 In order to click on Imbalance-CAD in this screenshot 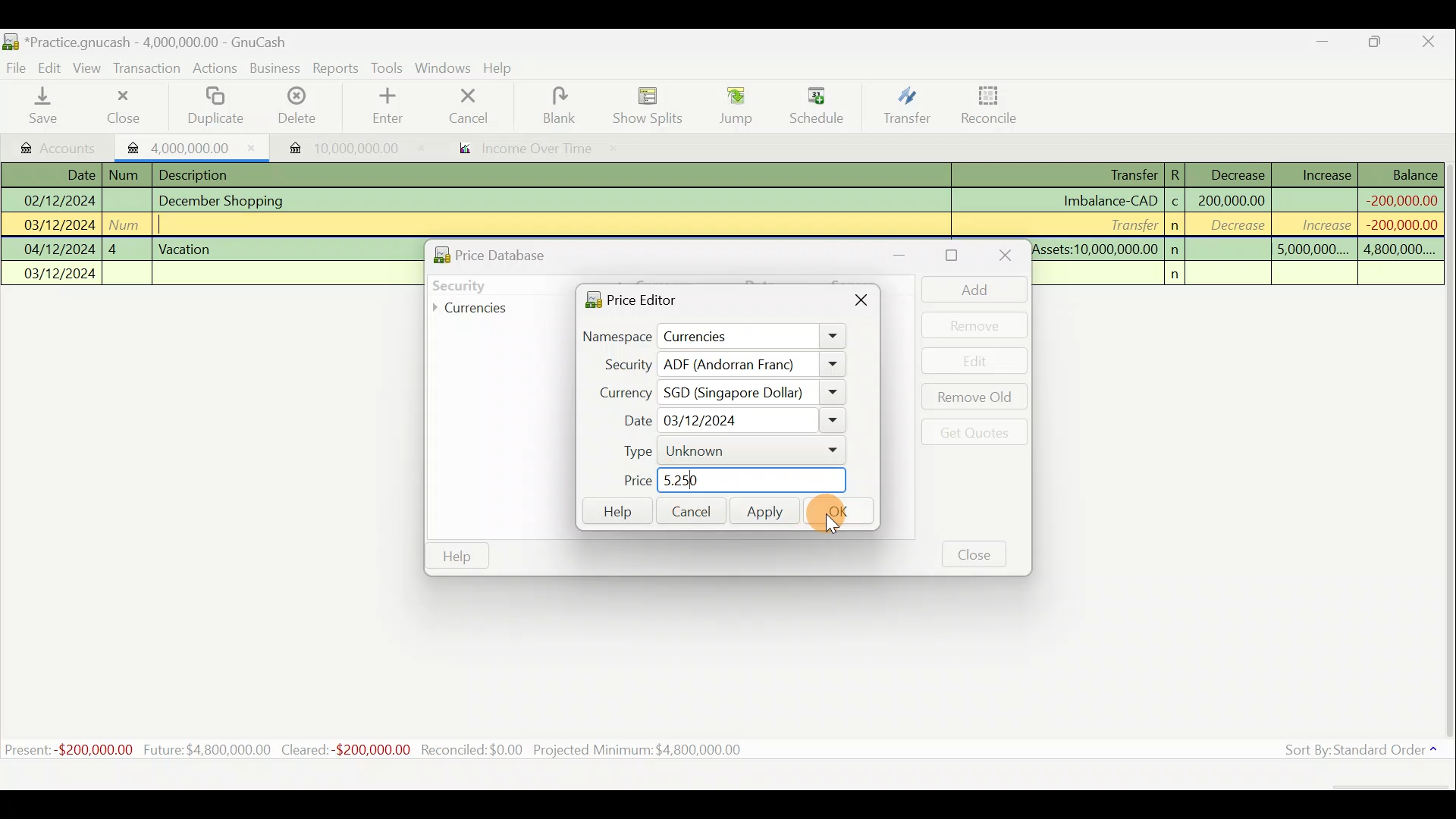, I will do `click(1109, 200)`.